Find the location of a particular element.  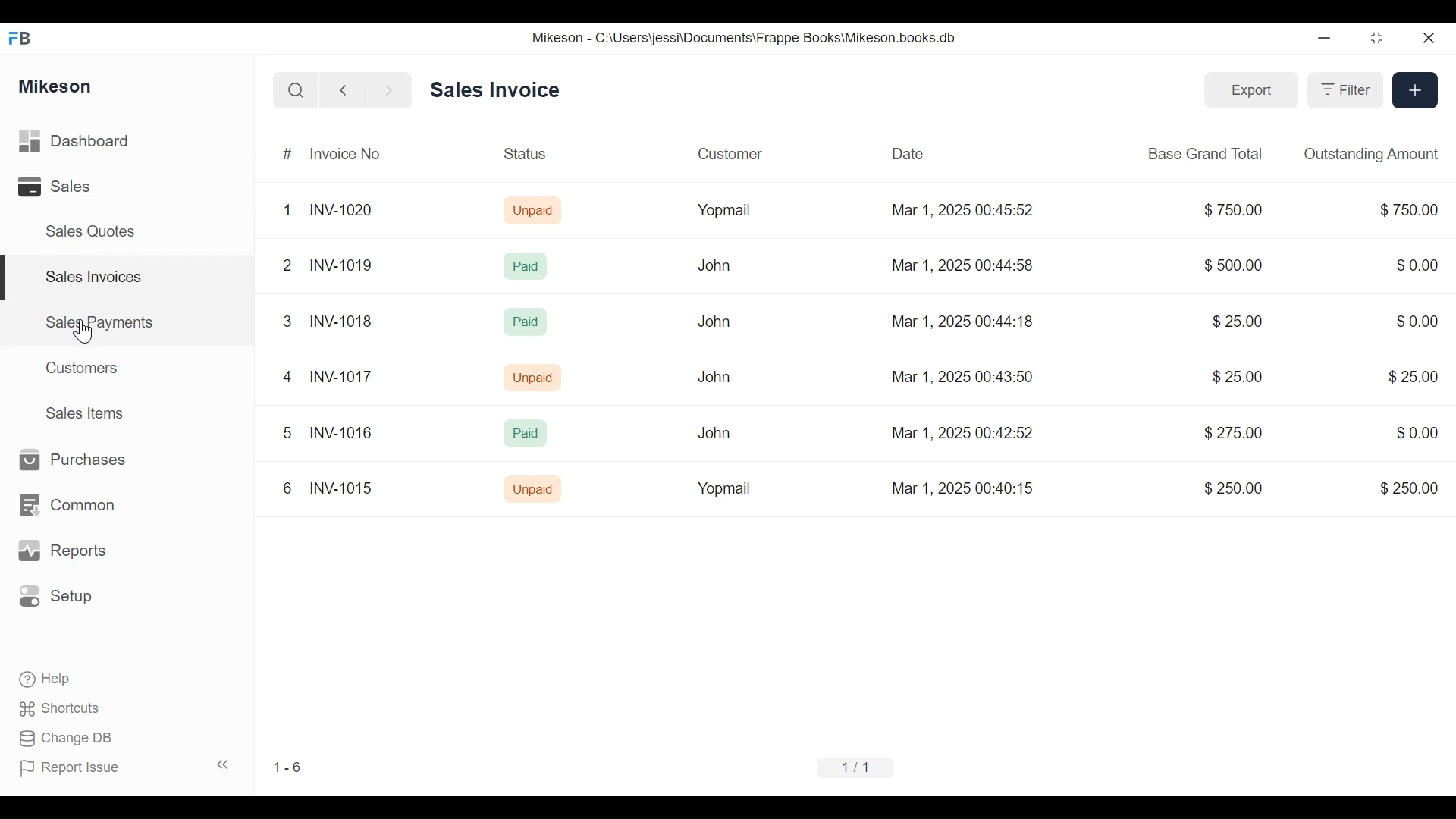

Sales Invoice is located at coordinates (491, 89).